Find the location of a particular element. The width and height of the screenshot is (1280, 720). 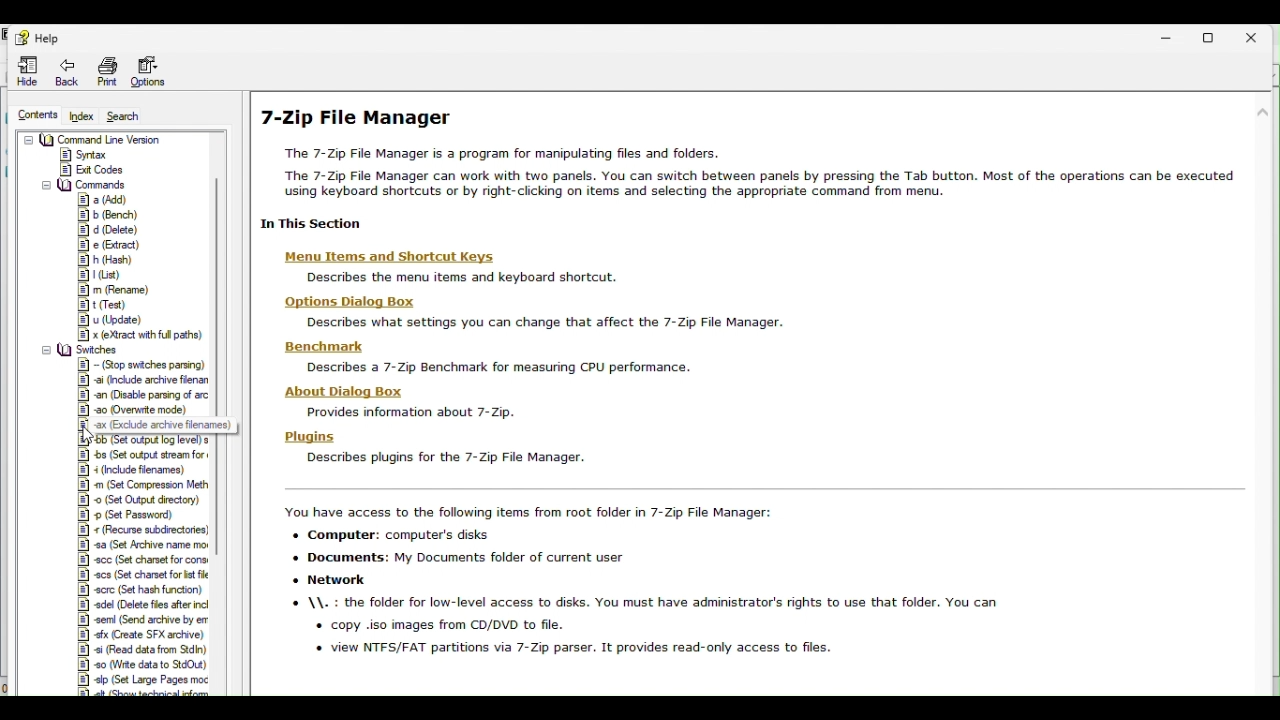

| PT we Punn— is located at coordinates (145, 543).